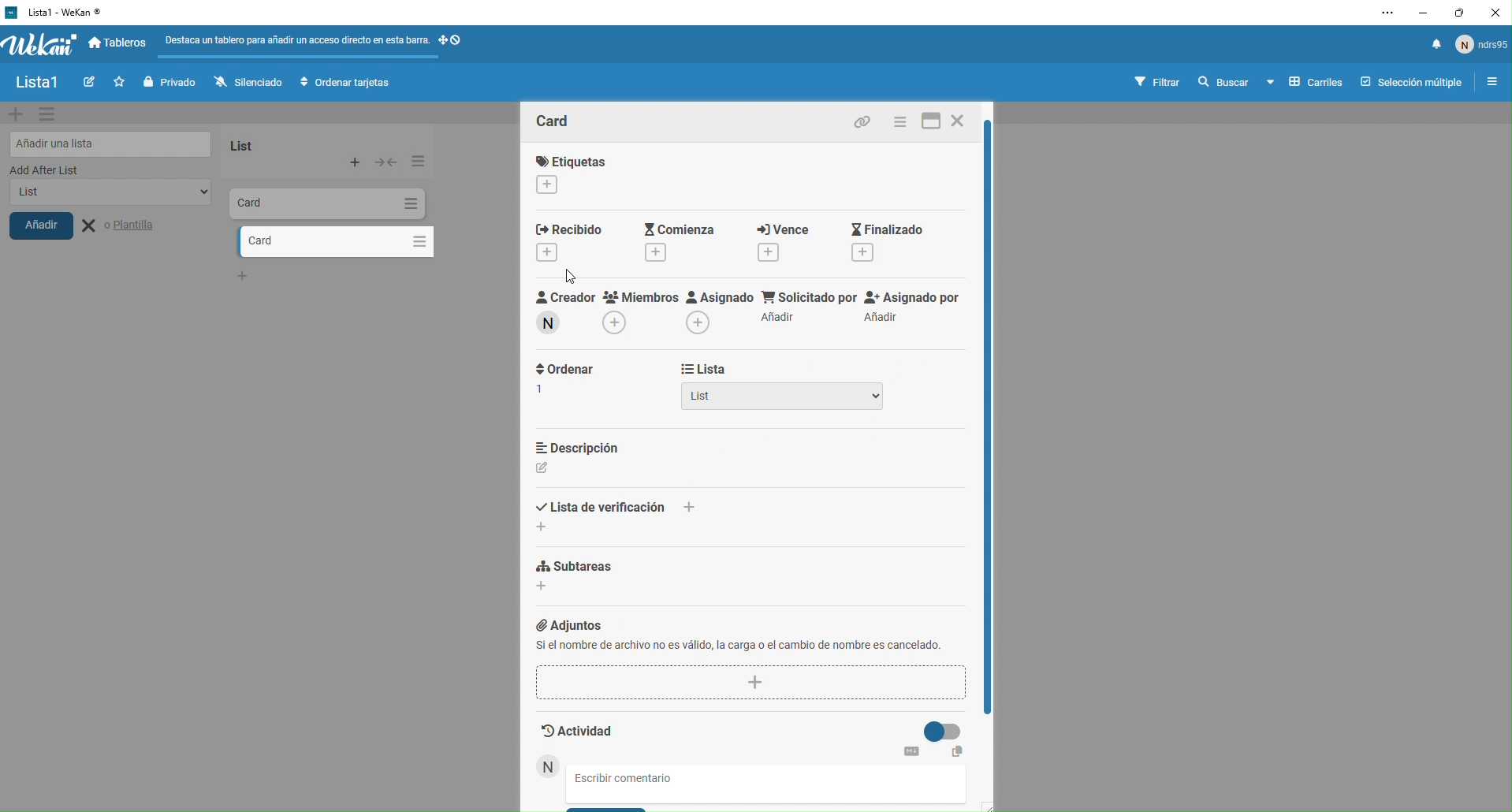  What do you see at coordinates (117, 81) in the screenshot?
I see `Favorites` at bounding box center [117, 81].